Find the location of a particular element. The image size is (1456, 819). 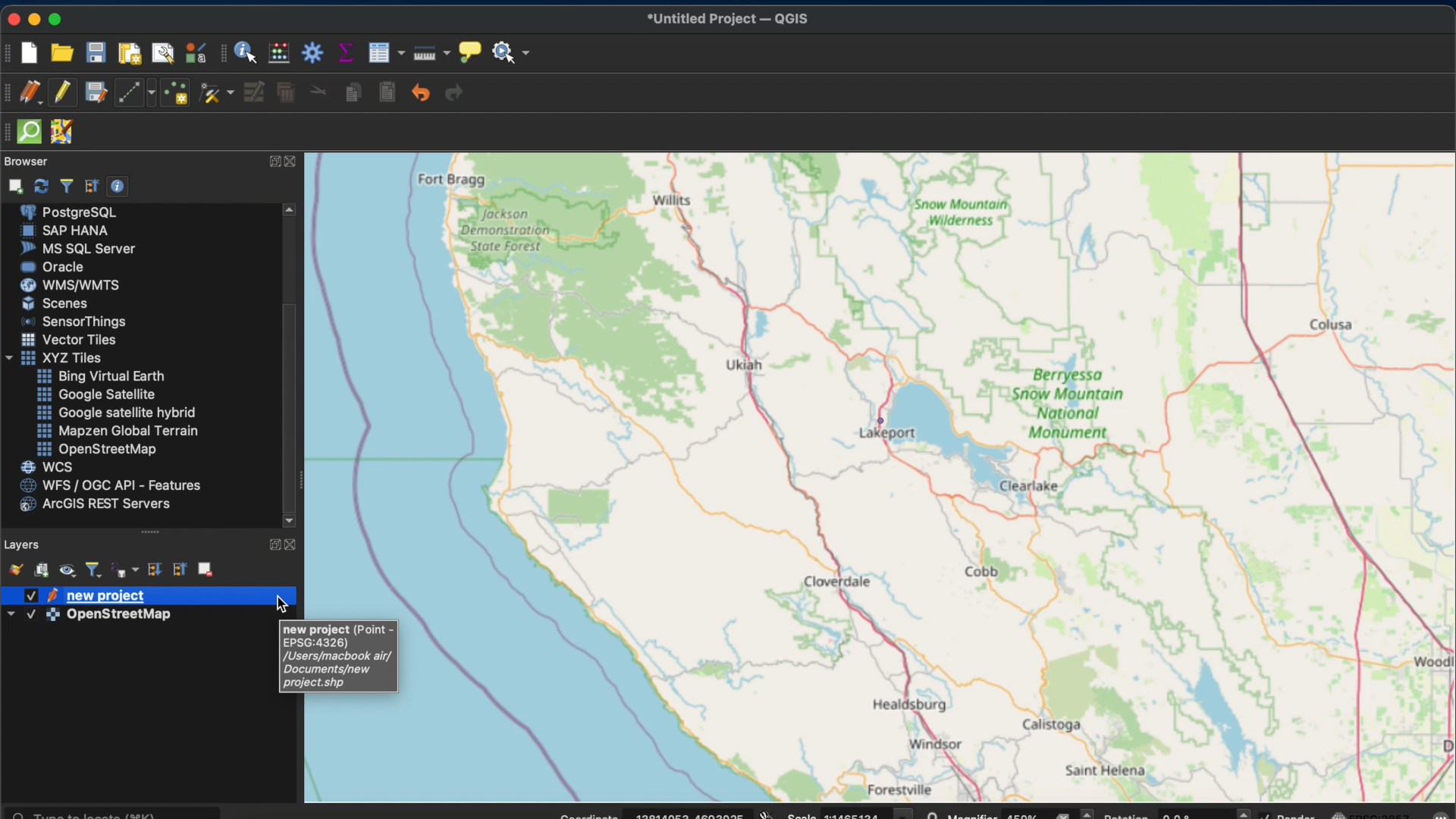

wms/wmts is located at coordinates (67, 284).